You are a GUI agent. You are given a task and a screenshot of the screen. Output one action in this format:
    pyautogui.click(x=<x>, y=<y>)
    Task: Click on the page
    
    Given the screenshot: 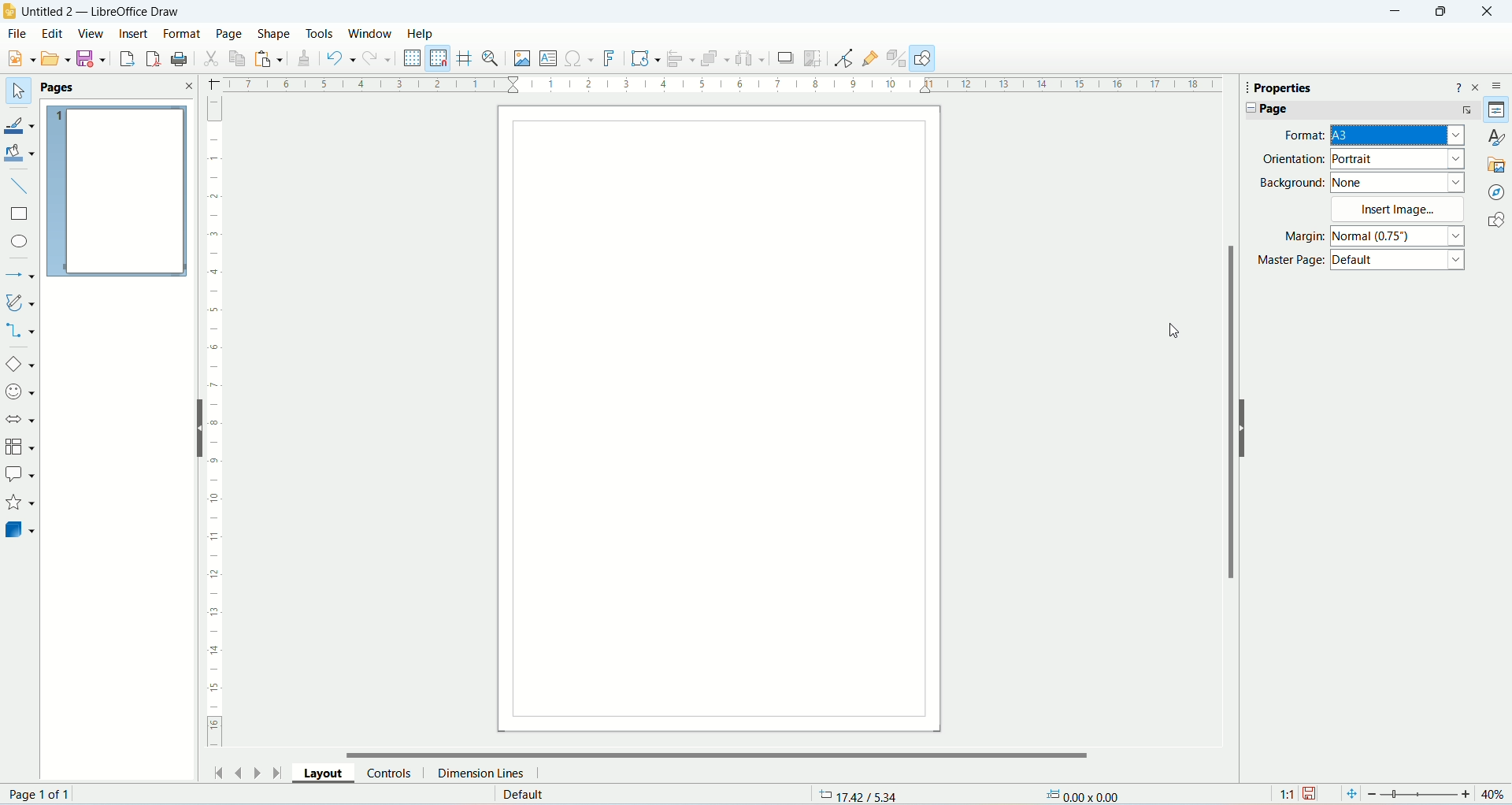 What is the action you would take?
    pyautogui.click(x=720, y=421)
    